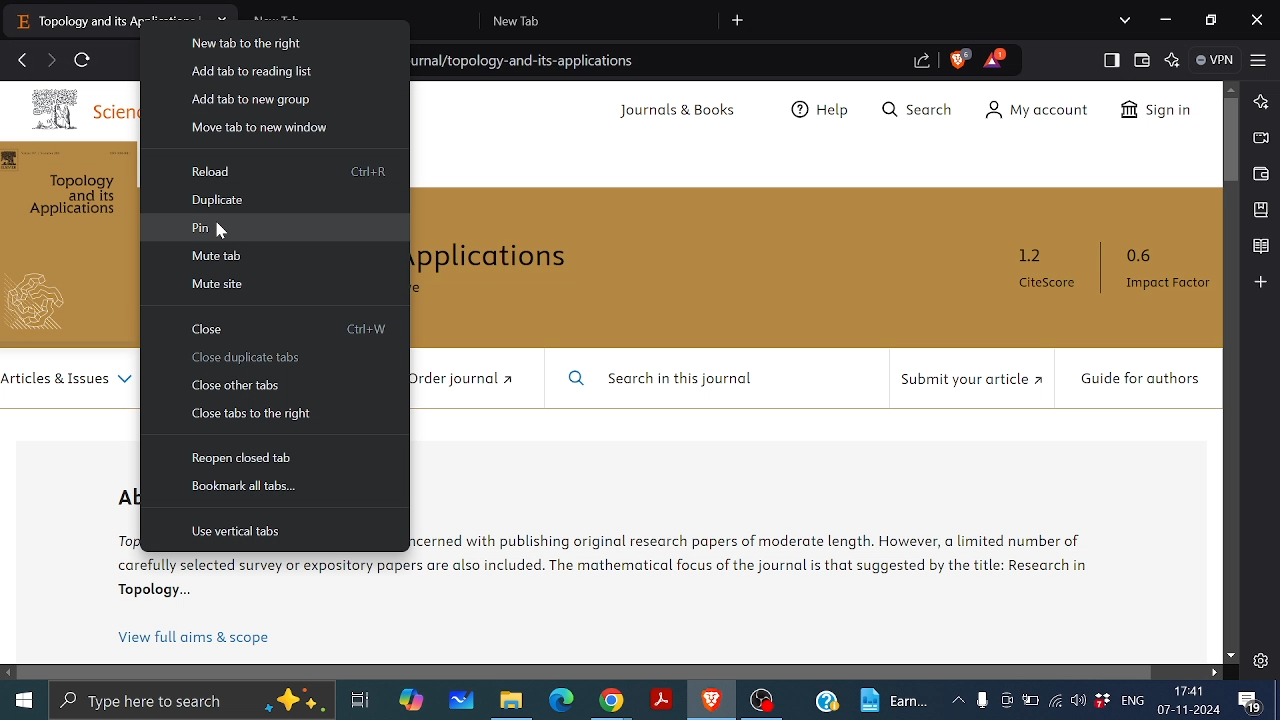 The image size is (1280, 720). Describe the element at coordinates (56, 112) in the screenshot. I see `logo` at that location.